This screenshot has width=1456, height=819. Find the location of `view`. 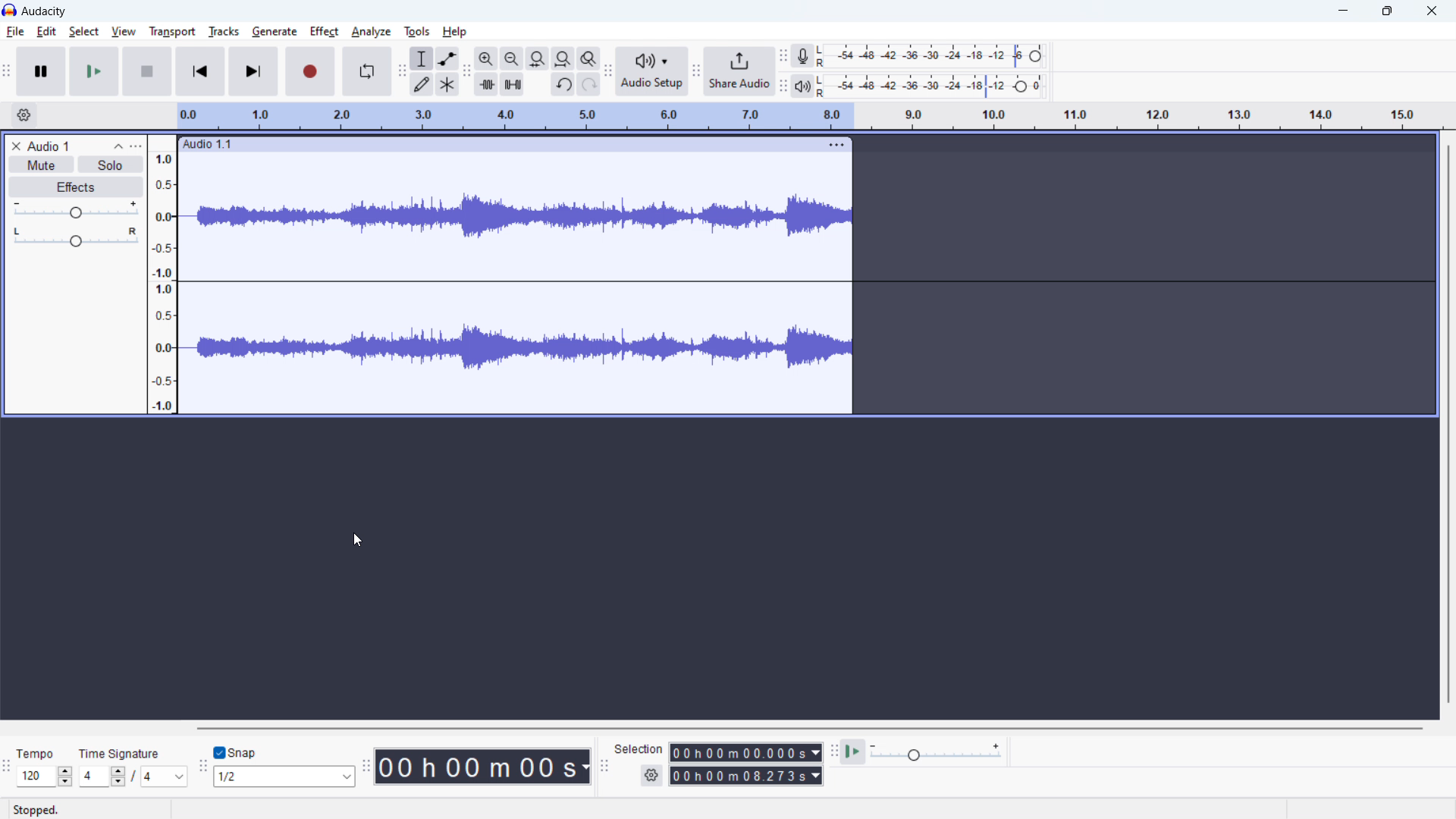

view is located at coordinates (123, 31).